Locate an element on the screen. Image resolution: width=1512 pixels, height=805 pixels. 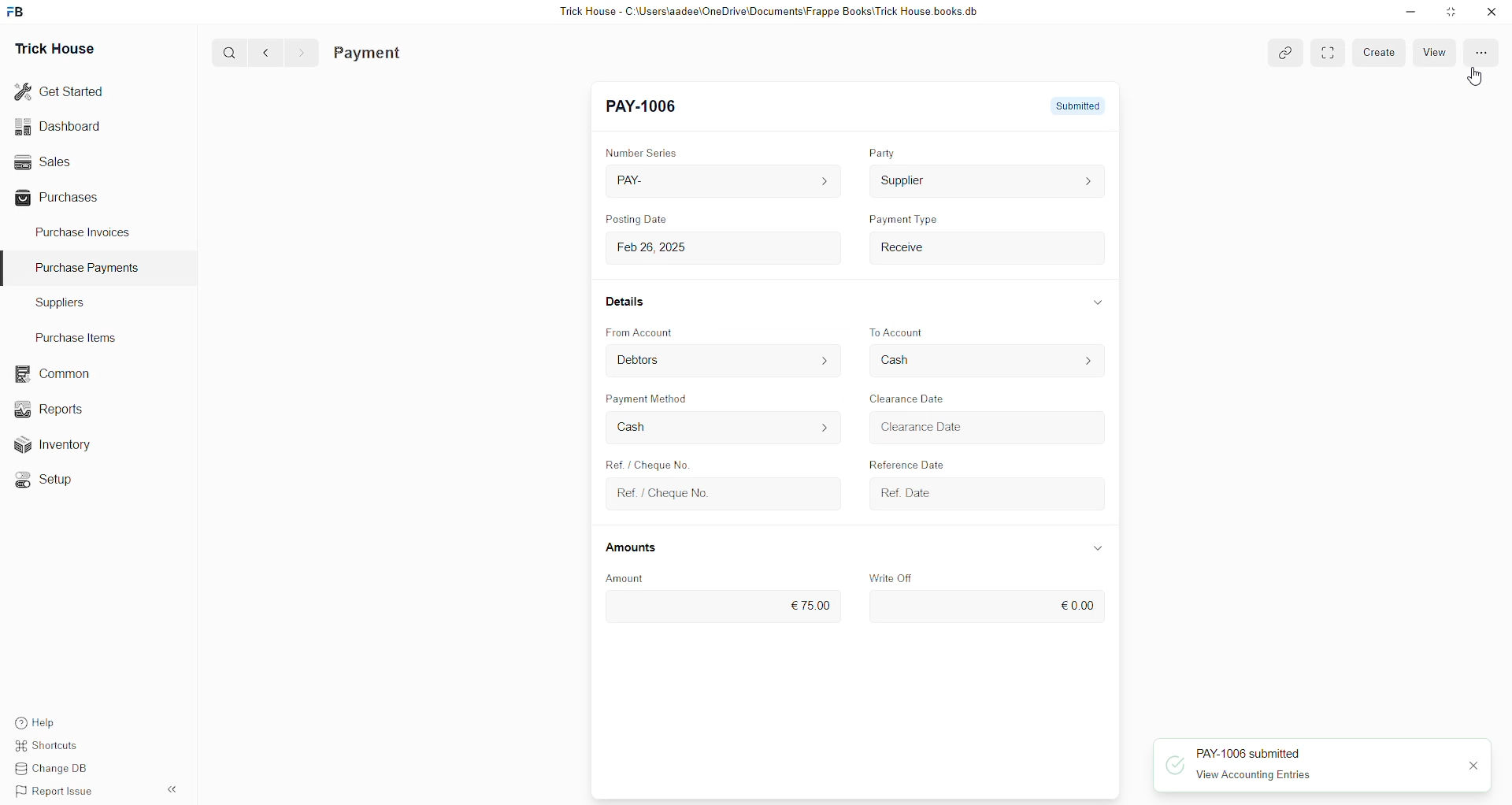
Trick House is located at coordinates (57, 46).